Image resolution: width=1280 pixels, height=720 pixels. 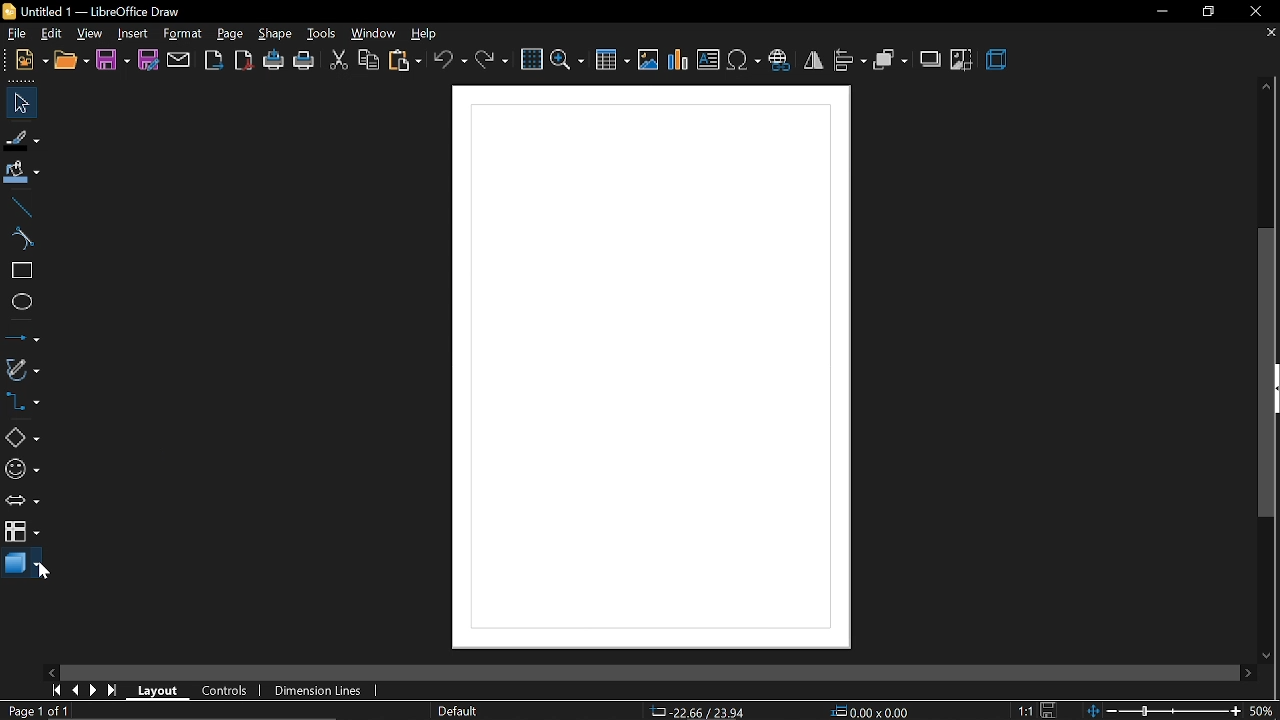 I want to click on grid, so click(x=531, y=58).